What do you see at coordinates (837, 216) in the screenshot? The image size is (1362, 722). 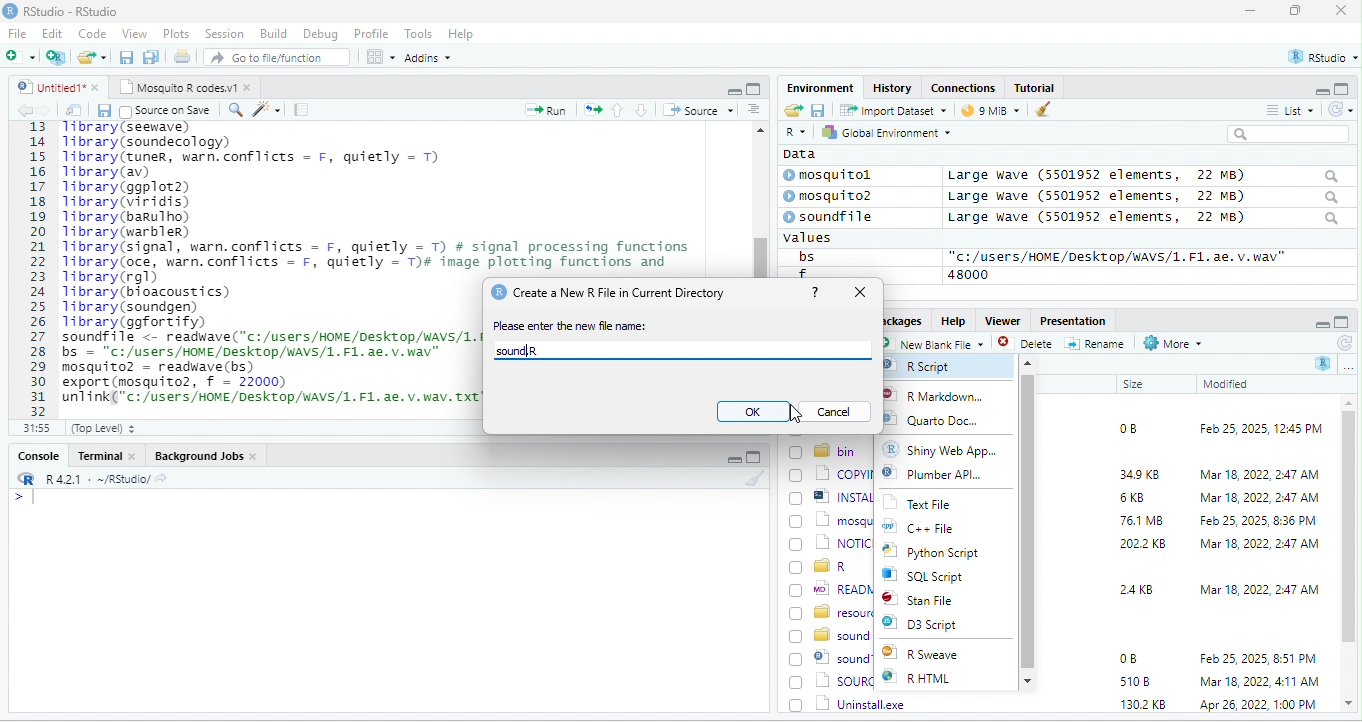 I see `© soundfile` at bounding box center [837, 216].